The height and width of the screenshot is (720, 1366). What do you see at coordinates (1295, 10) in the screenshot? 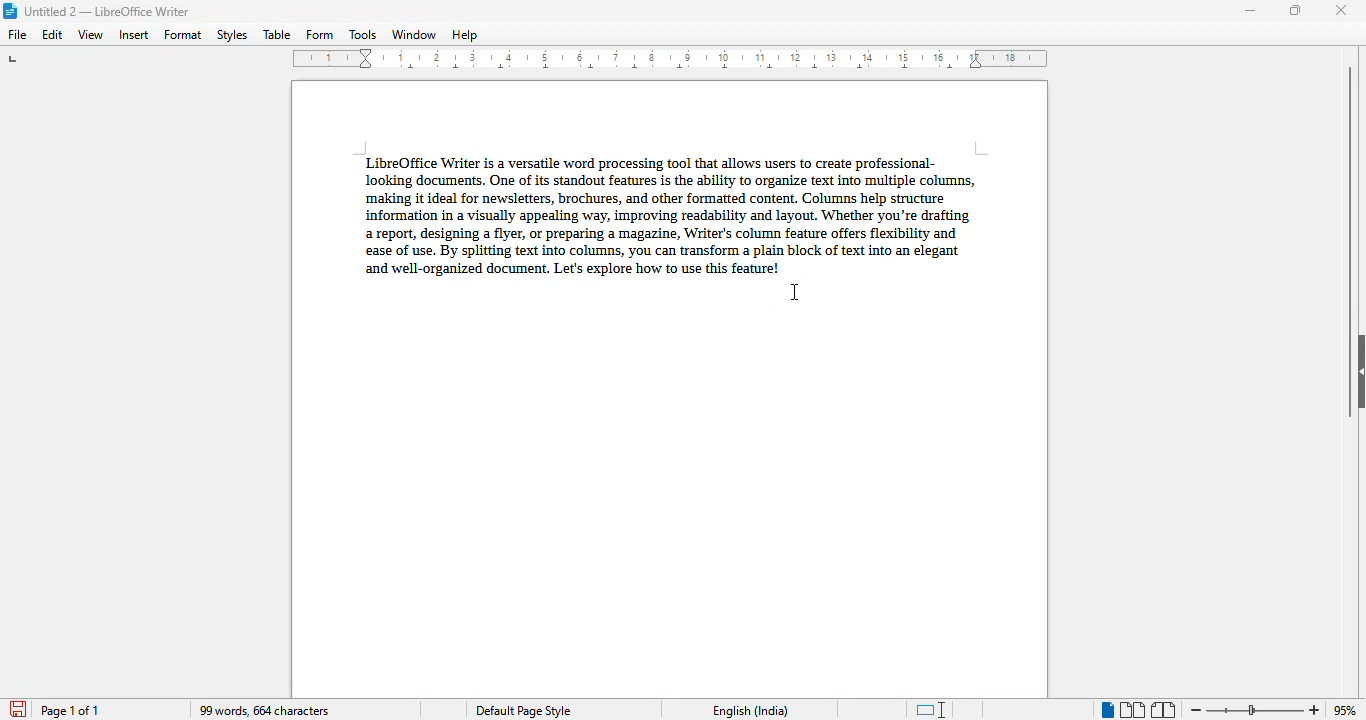
I see `maximize` at bounding box center [1295, 10].